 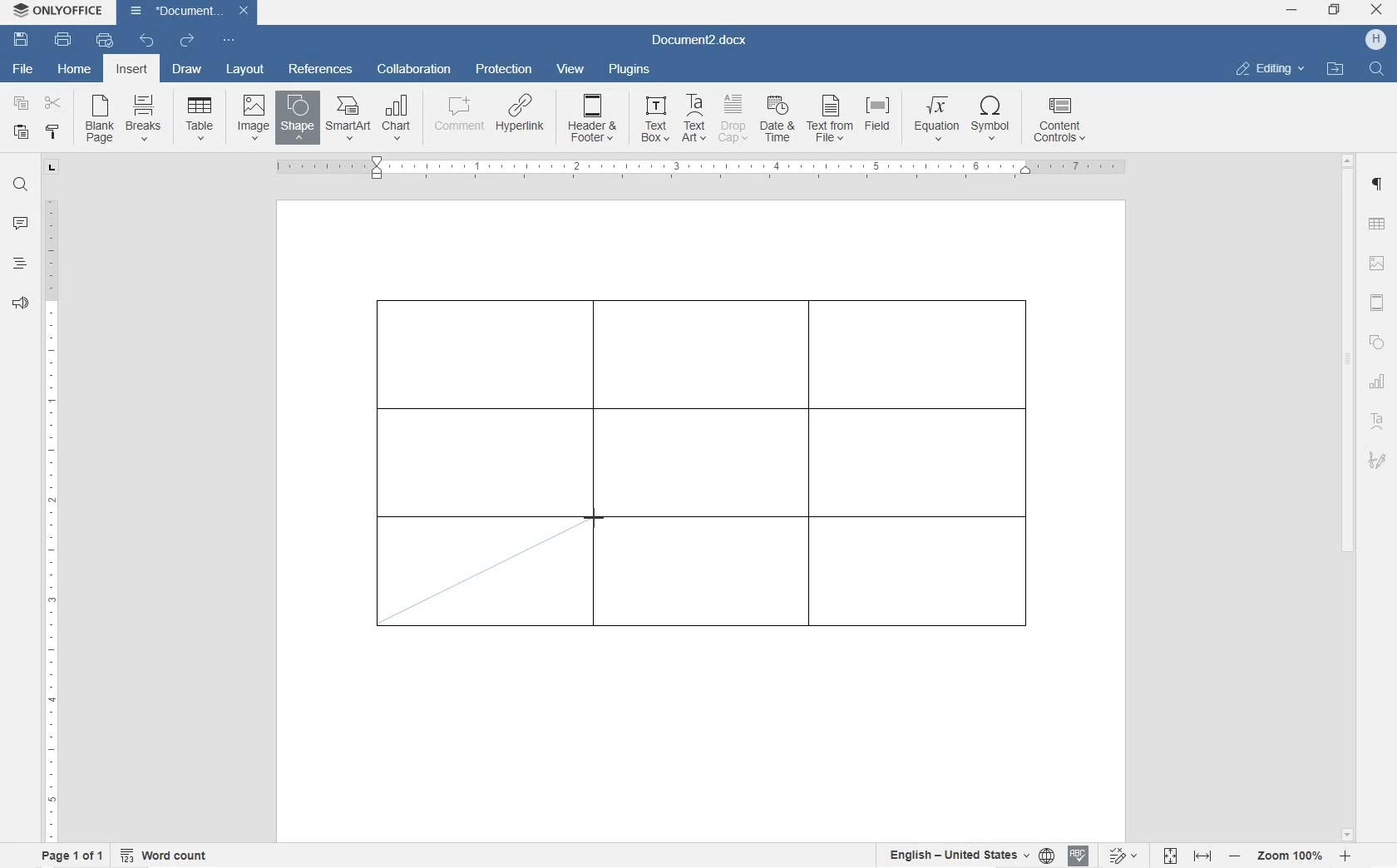 I want to click on fit to page or width, so click(x=1187, y=855).